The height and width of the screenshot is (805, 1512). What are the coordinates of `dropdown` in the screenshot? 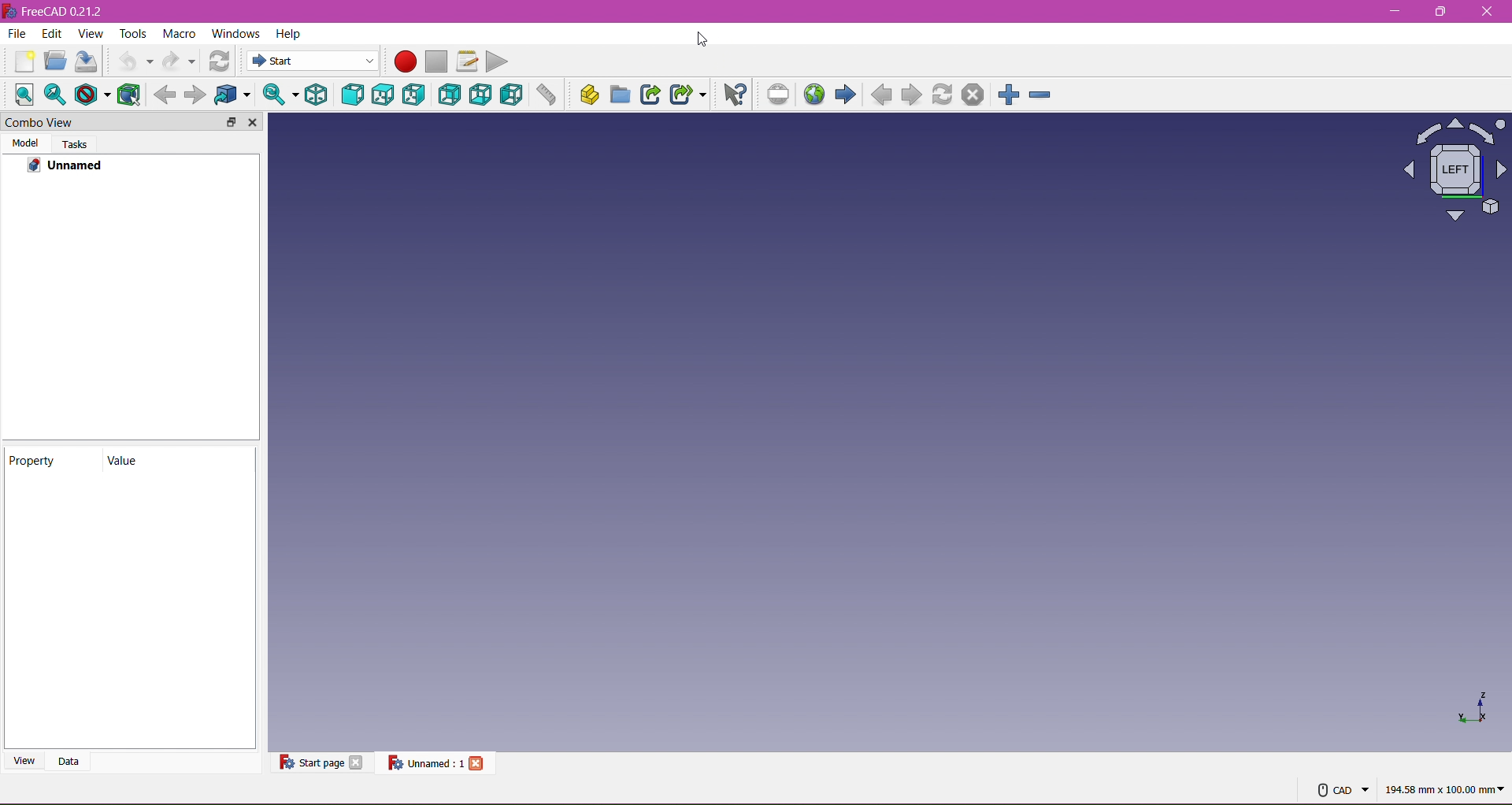 It's located at (371, 61).